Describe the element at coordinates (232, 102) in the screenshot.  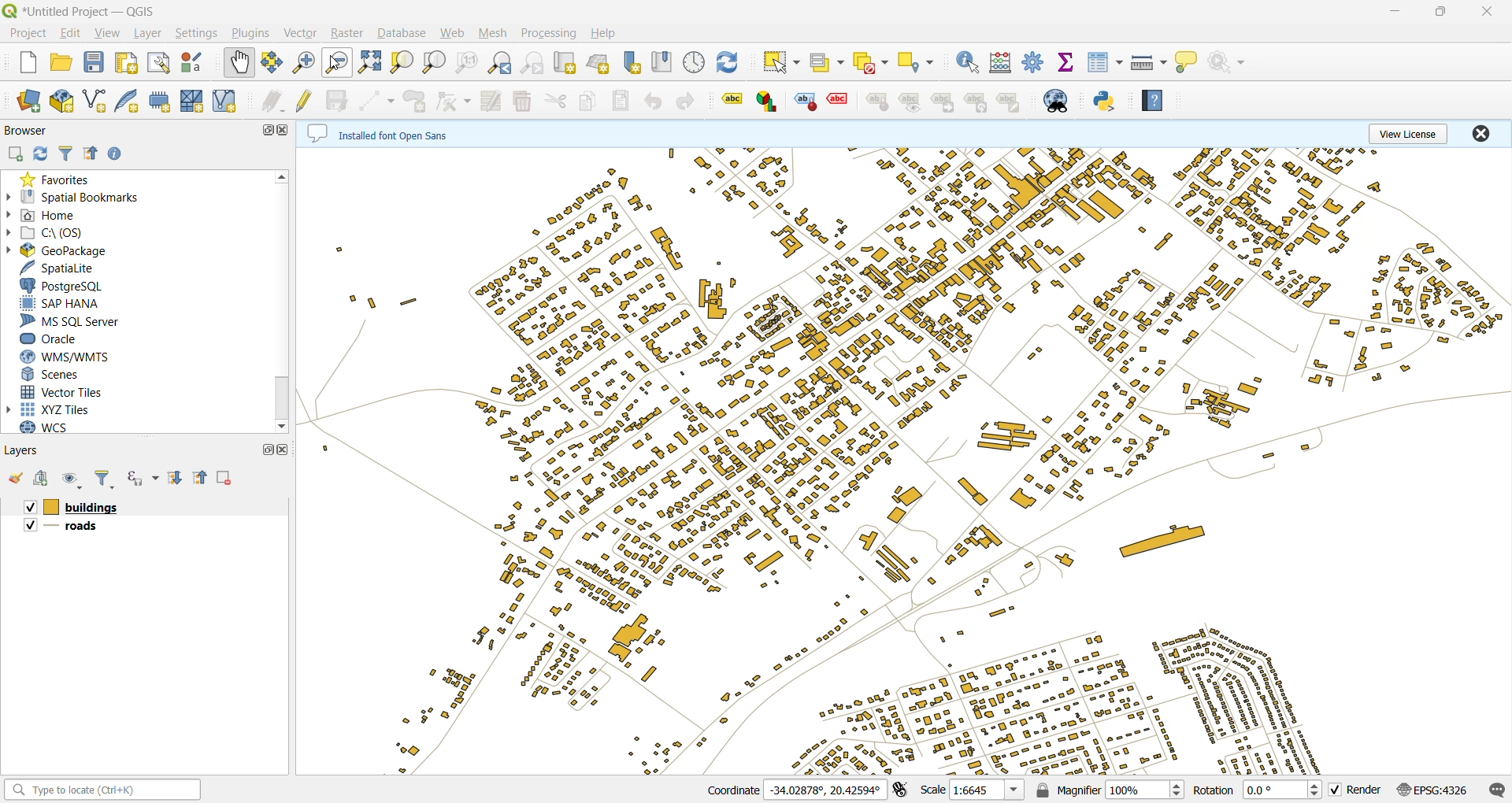
I see `new virtual layer` at that location.